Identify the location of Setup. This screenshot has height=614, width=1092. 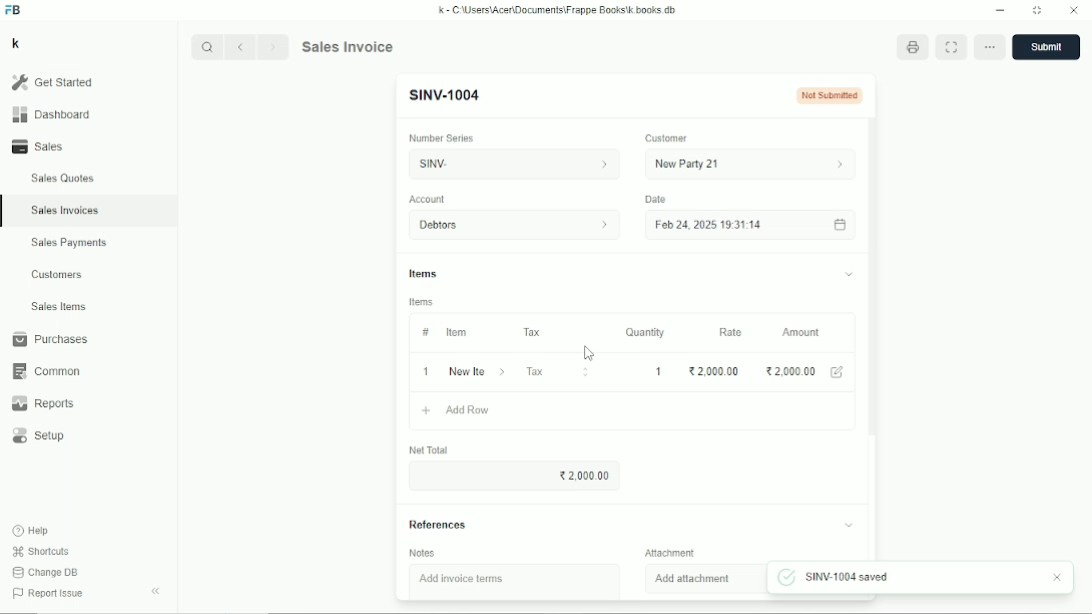
(41, 436).